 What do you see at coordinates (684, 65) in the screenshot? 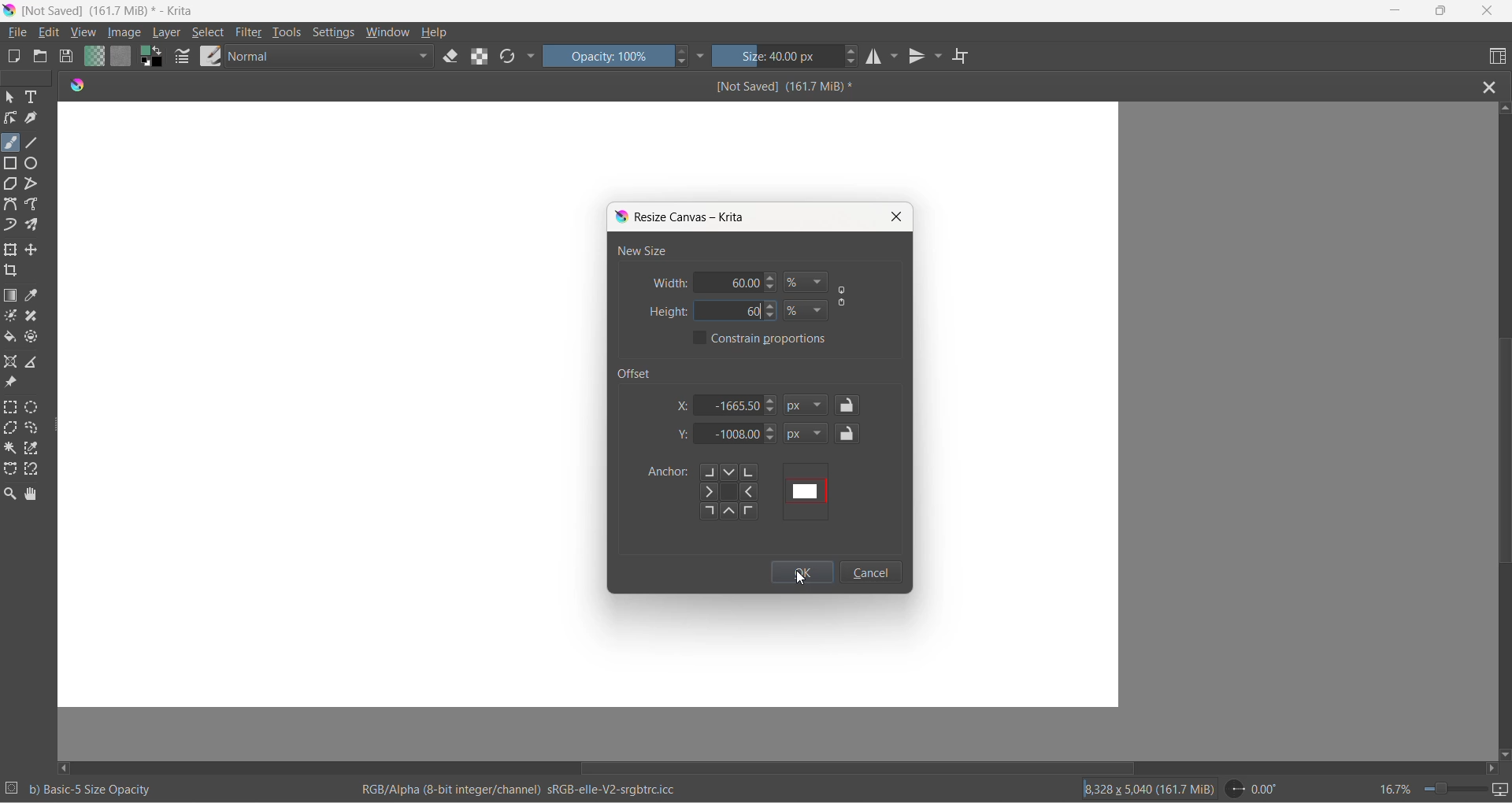
I see `decrement opacity` at bounding box center [684, 65].